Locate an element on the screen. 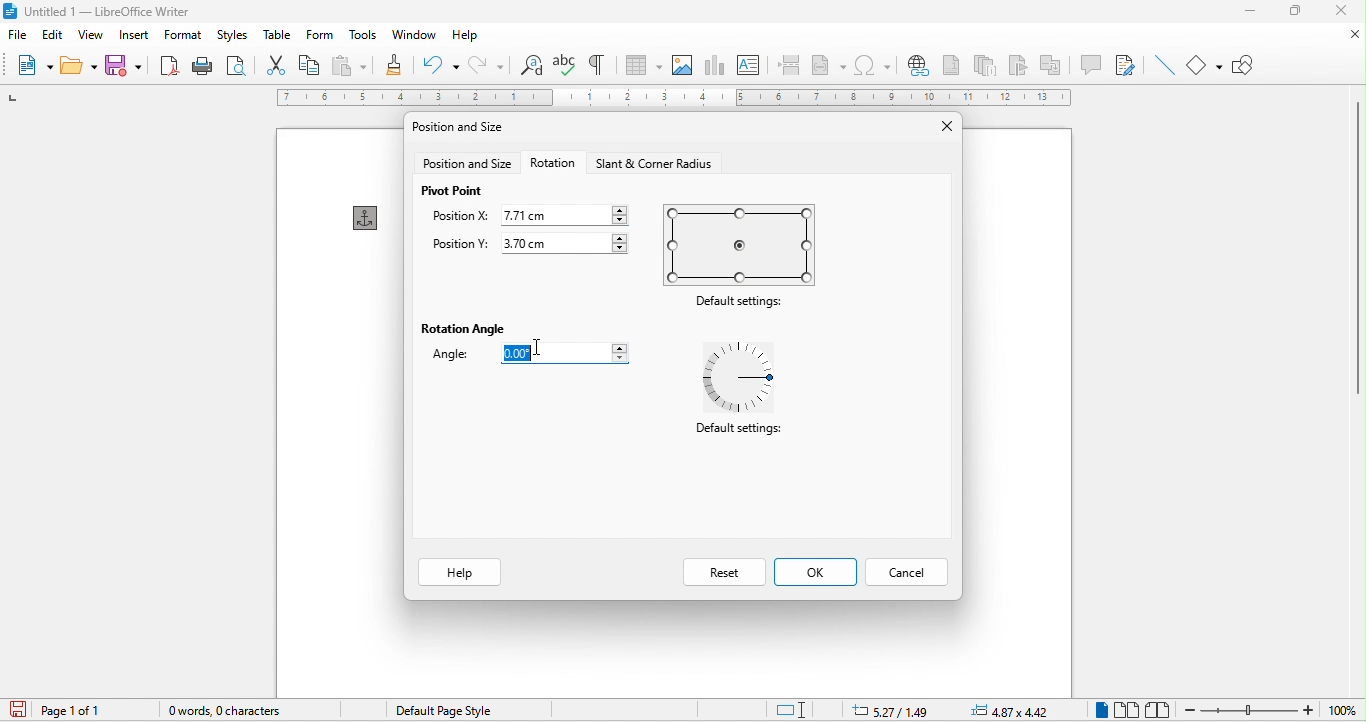 The width and height of the screenshot is (1366, 722). close is located at coordinates (1343, 11).